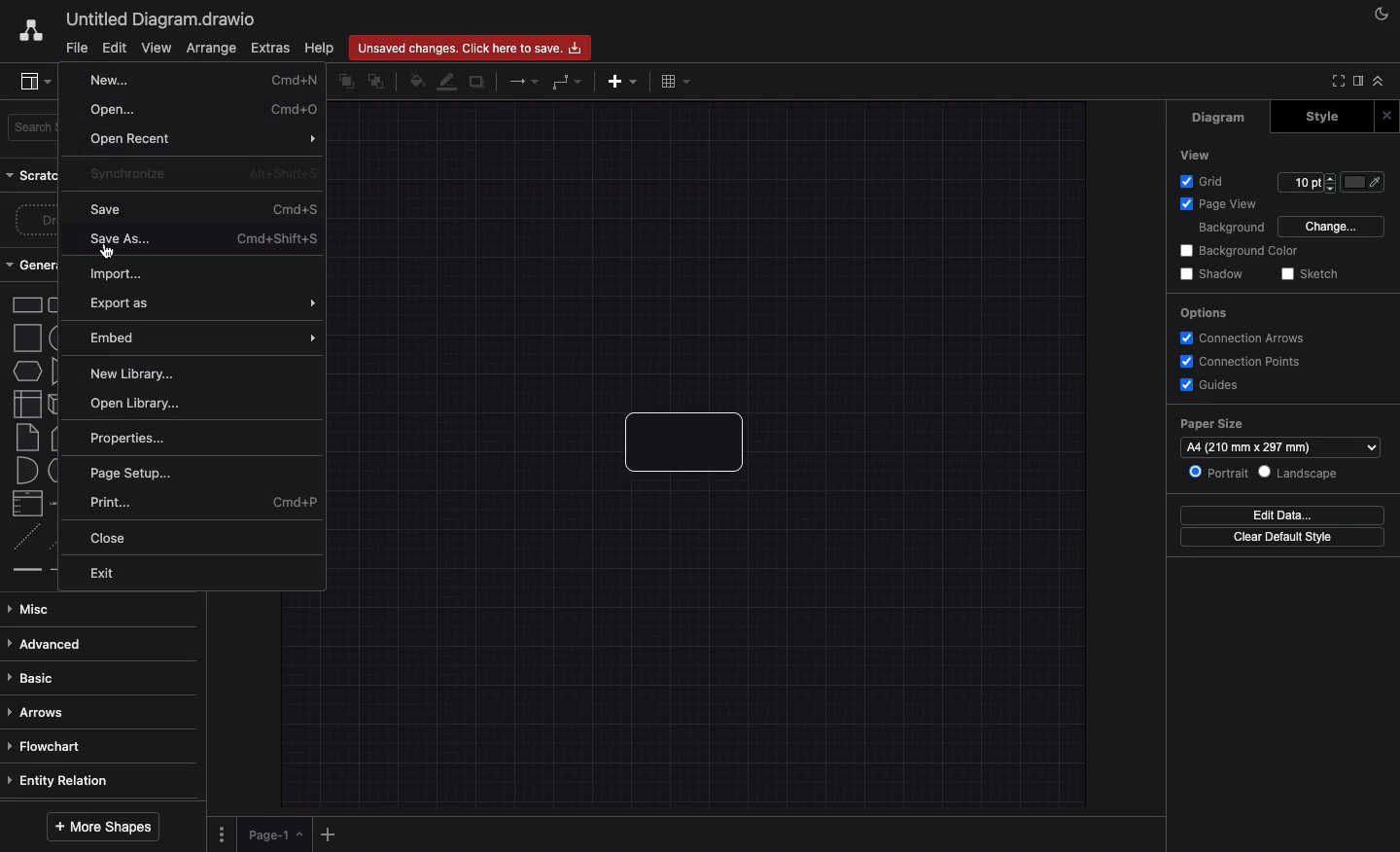  What do you see at coordinates (1335, 83) in the screenshot?
I see `Fullscreen` at bounding box center [1335, 83].